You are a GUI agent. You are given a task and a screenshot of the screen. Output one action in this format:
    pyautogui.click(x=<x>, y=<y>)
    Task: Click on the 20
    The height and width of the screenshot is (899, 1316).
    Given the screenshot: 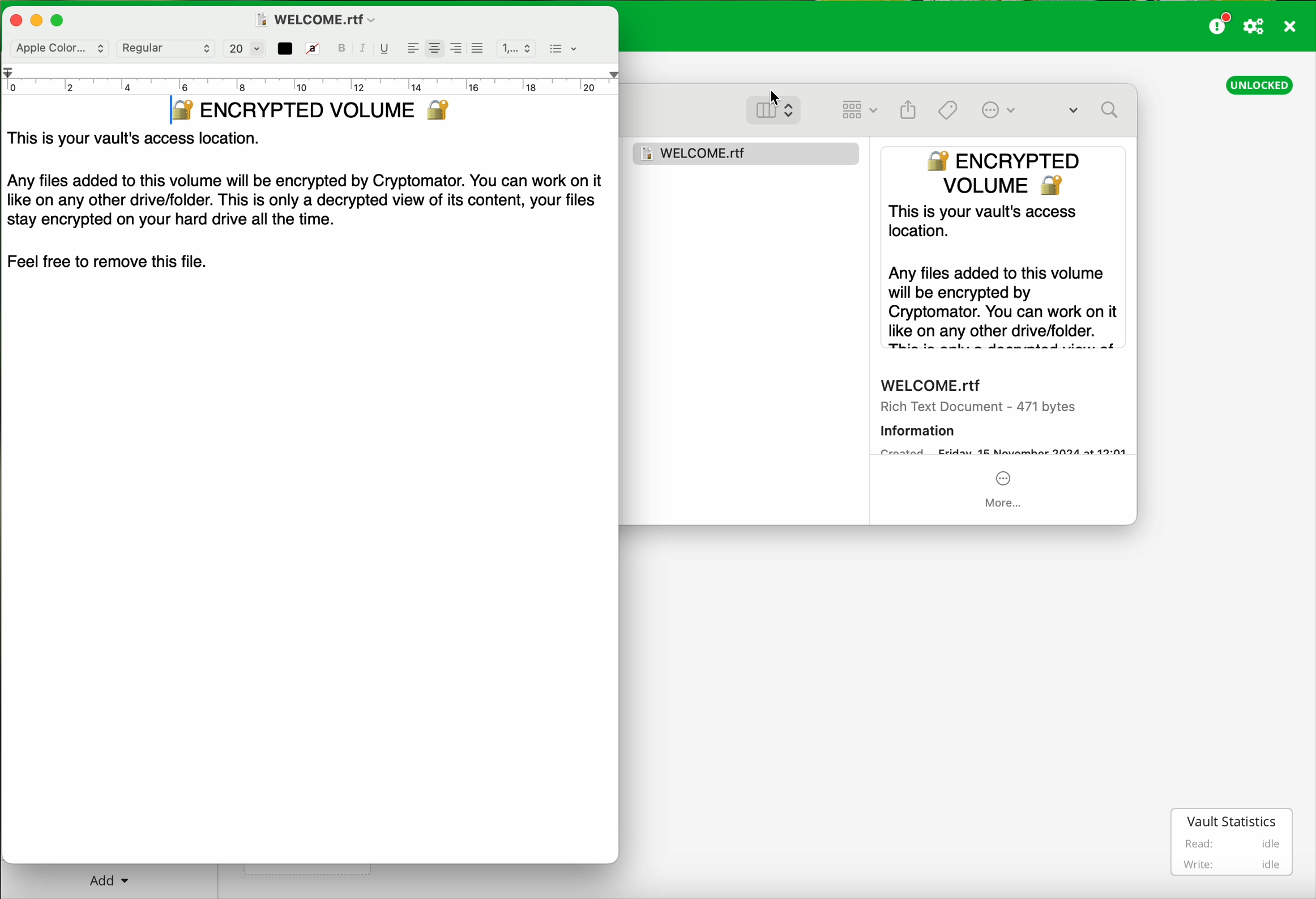 What is the action you would take?
    pyautogui.click(x=241, y=48)
    